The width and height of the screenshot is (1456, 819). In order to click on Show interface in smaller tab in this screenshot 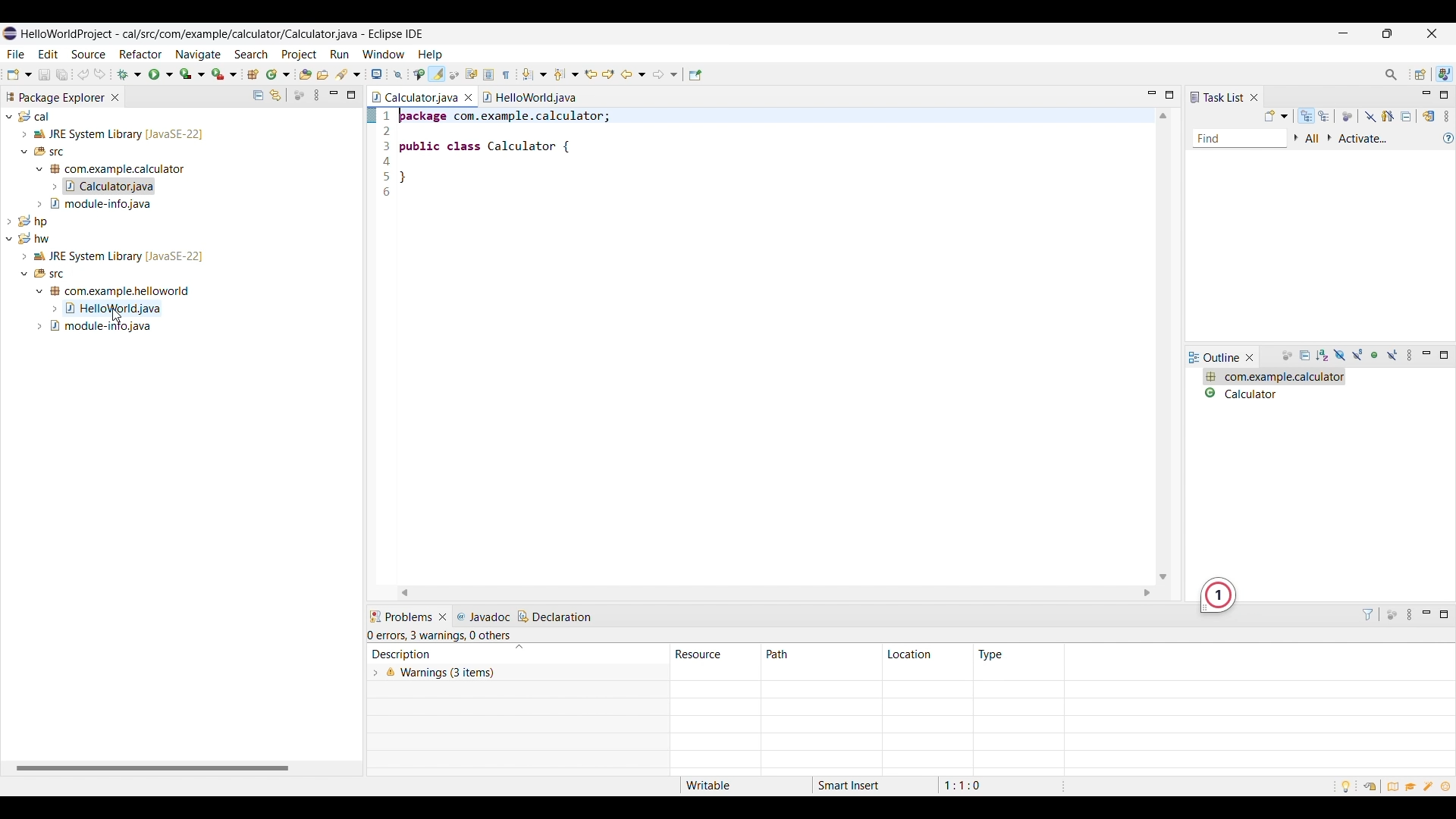, I will do `click(1388, 33)`.